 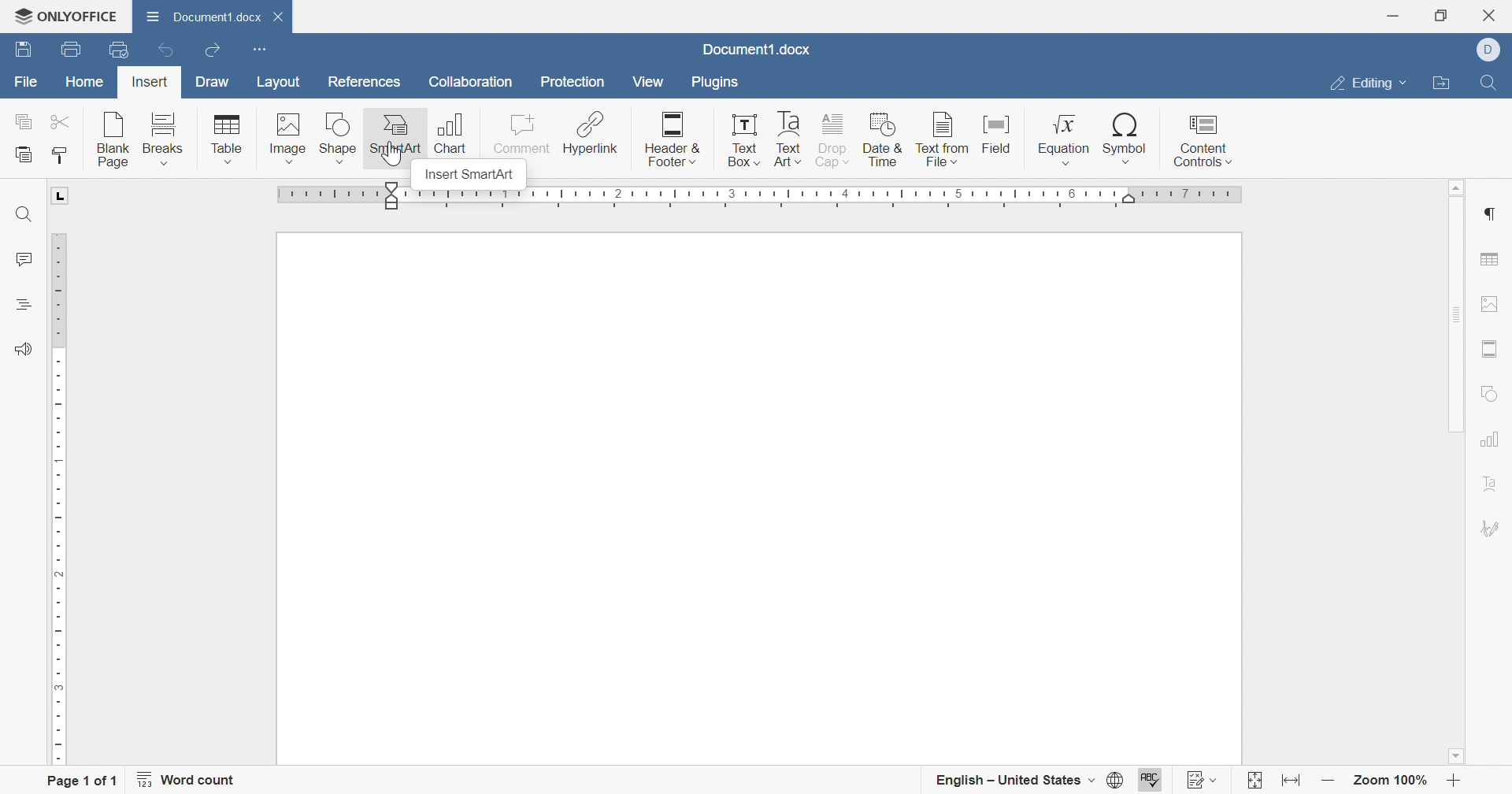 What do you see at coordinates (290, 139) in the screenshot?
I see `Image` at bounding box center [290, 139].